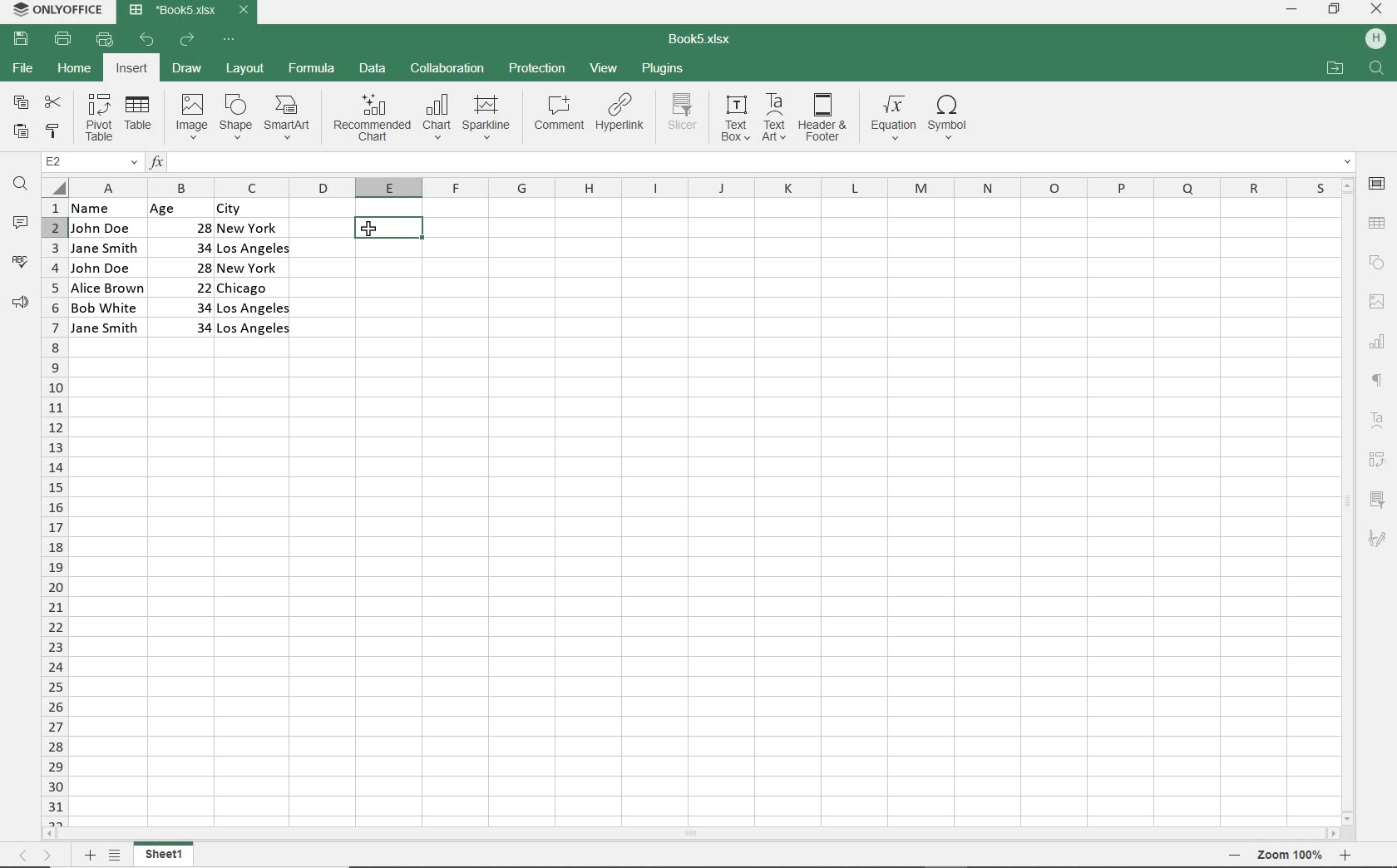 The height and width of the screenshot is (868, 1397). Describe the element at coordinates (101, 228) in the screenshot. I see `John Doe` at that location.